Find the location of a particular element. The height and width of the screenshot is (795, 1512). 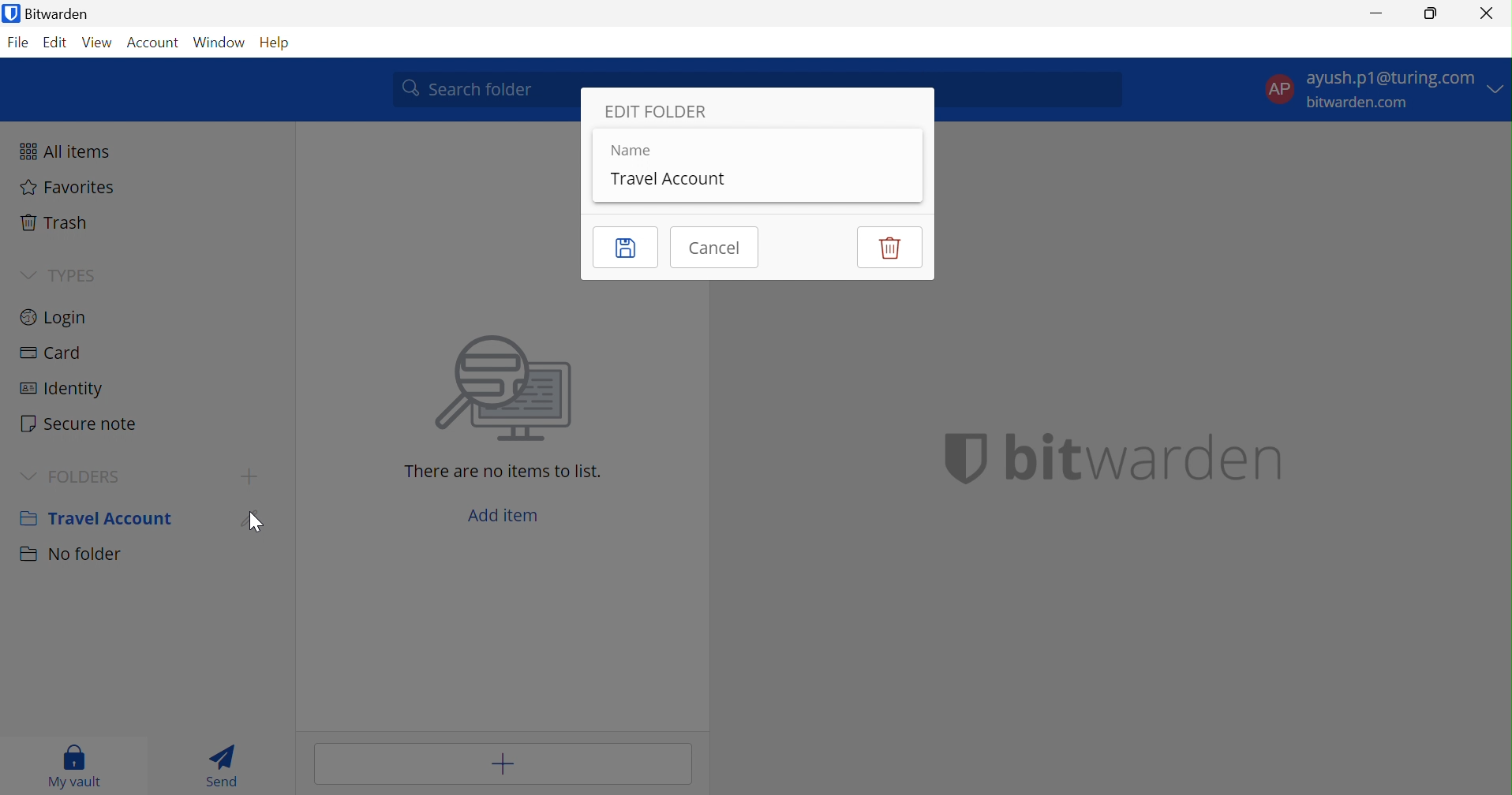

Favorites is located at coordinates (69, 189).